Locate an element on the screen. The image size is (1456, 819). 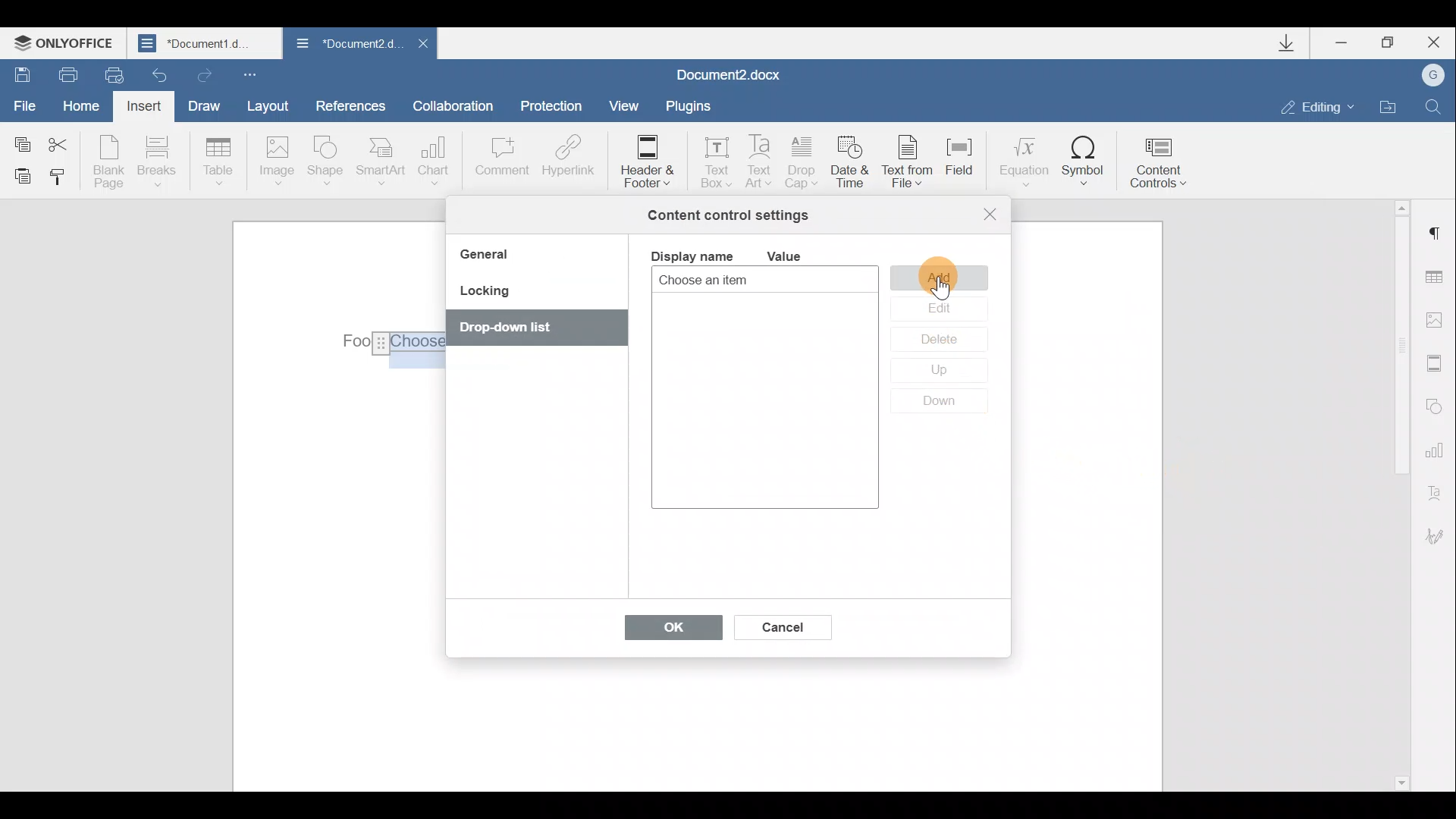
Comment is located at coordinates (501, 164).